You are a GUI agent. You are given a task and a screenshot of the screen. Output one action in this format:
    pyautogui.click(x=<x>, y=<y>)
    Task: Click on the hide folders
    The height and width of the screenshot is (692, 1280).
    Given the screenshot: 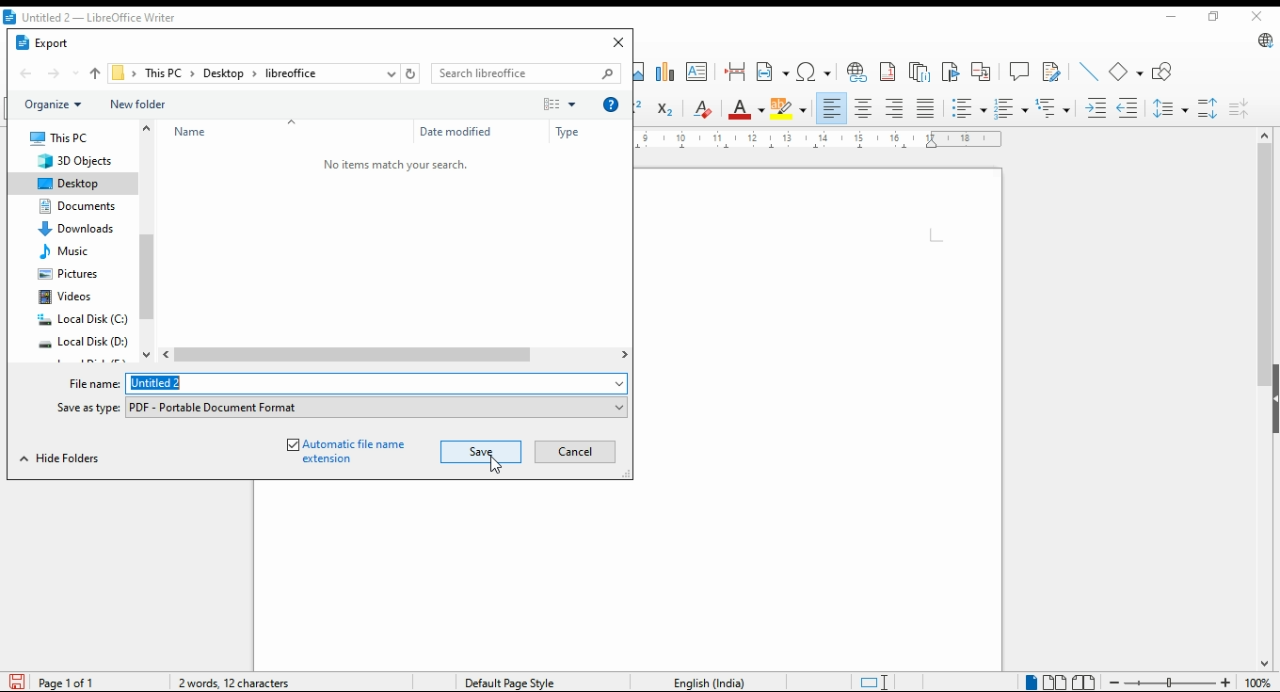 What is the action you would take?
    pyautogui.click(x=62, y=456)
    